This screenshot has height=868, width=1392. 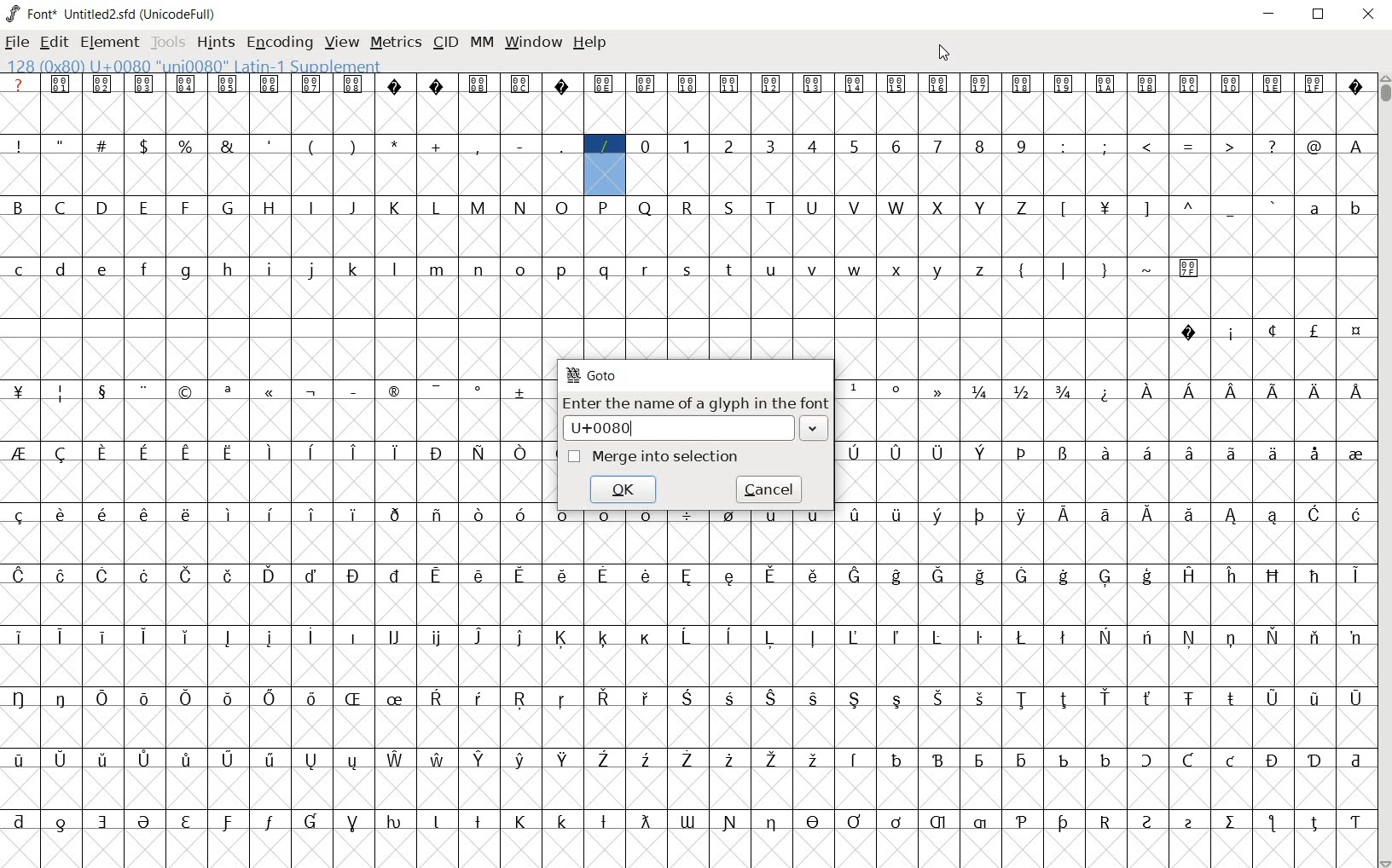 What do you see at coordinates (1232, 84) in the screenshot?
I see `glyph` at bounding box center [1232, 84].